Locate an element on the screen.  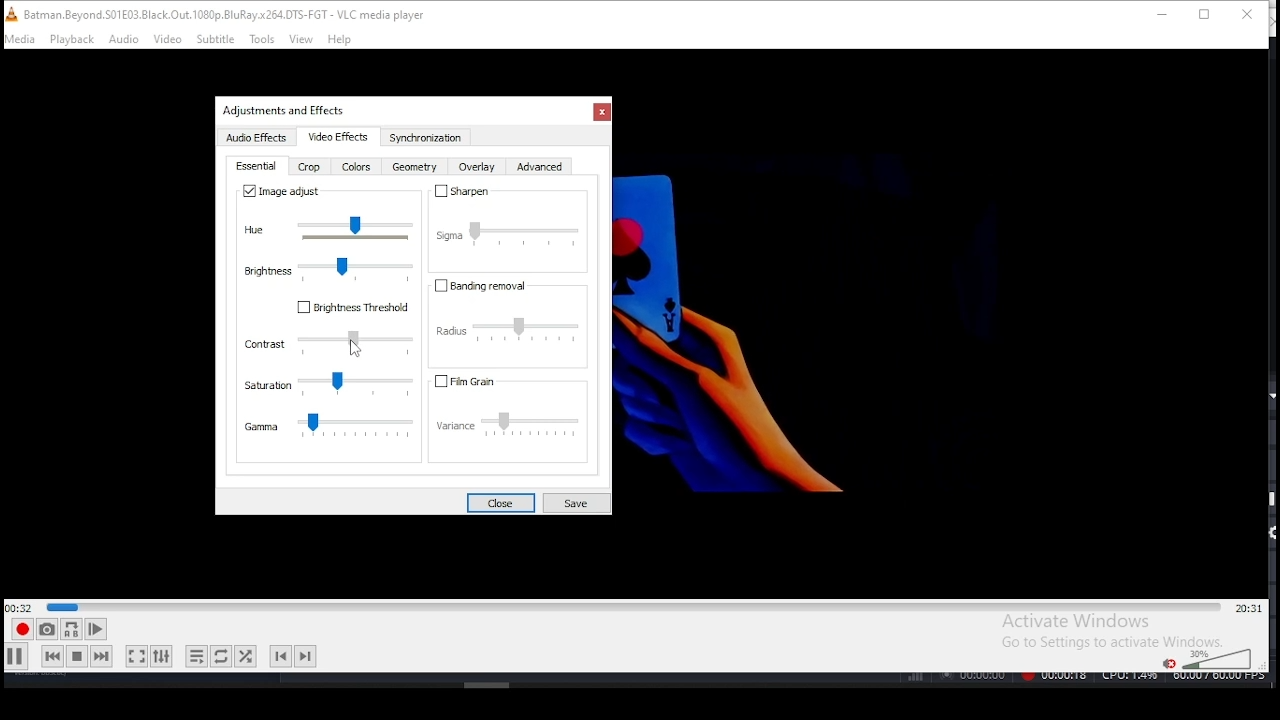
media is located at coordinates (21, 39).